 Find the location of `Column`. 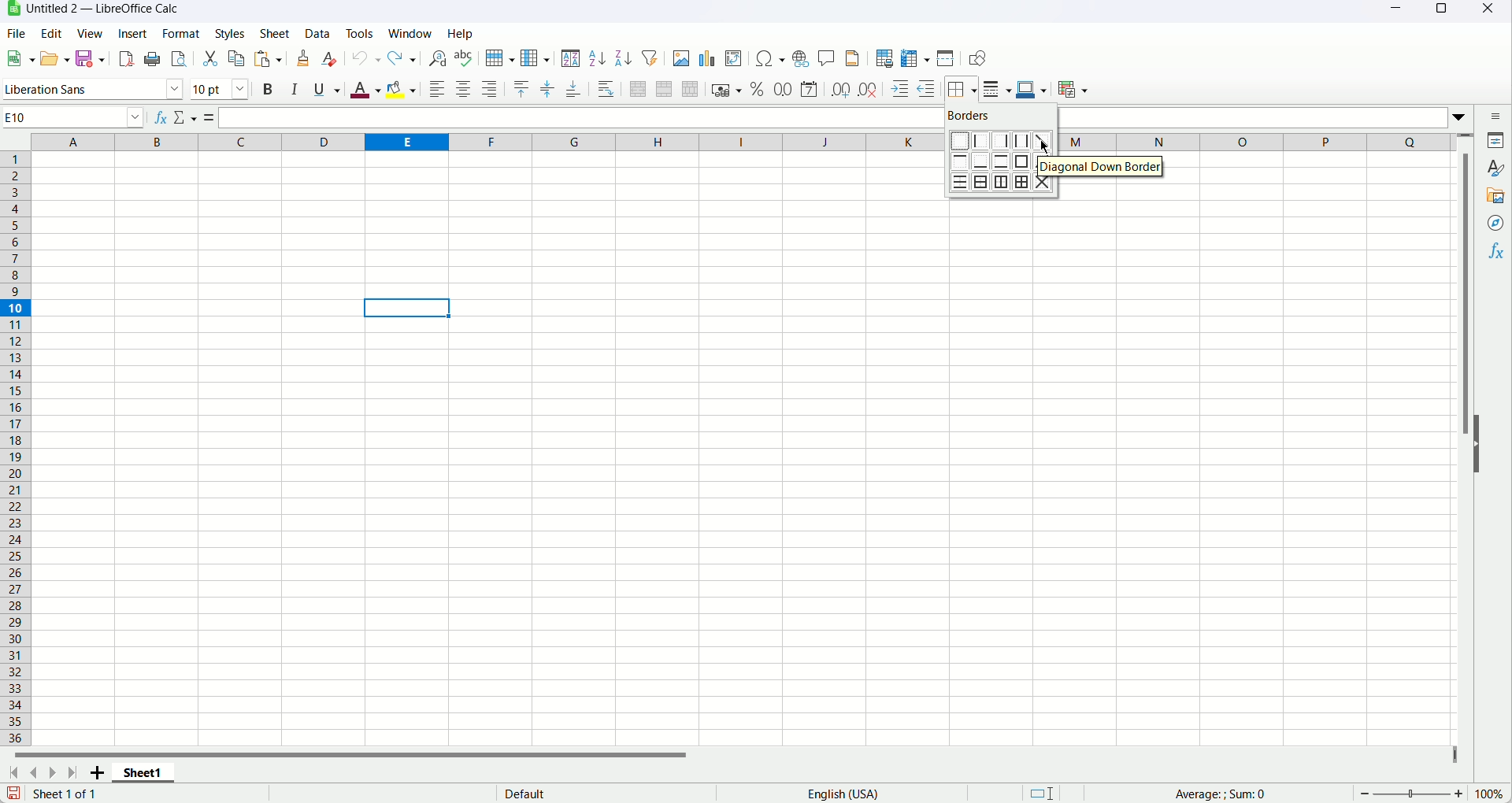

Column is located at coordinates (536, 57).